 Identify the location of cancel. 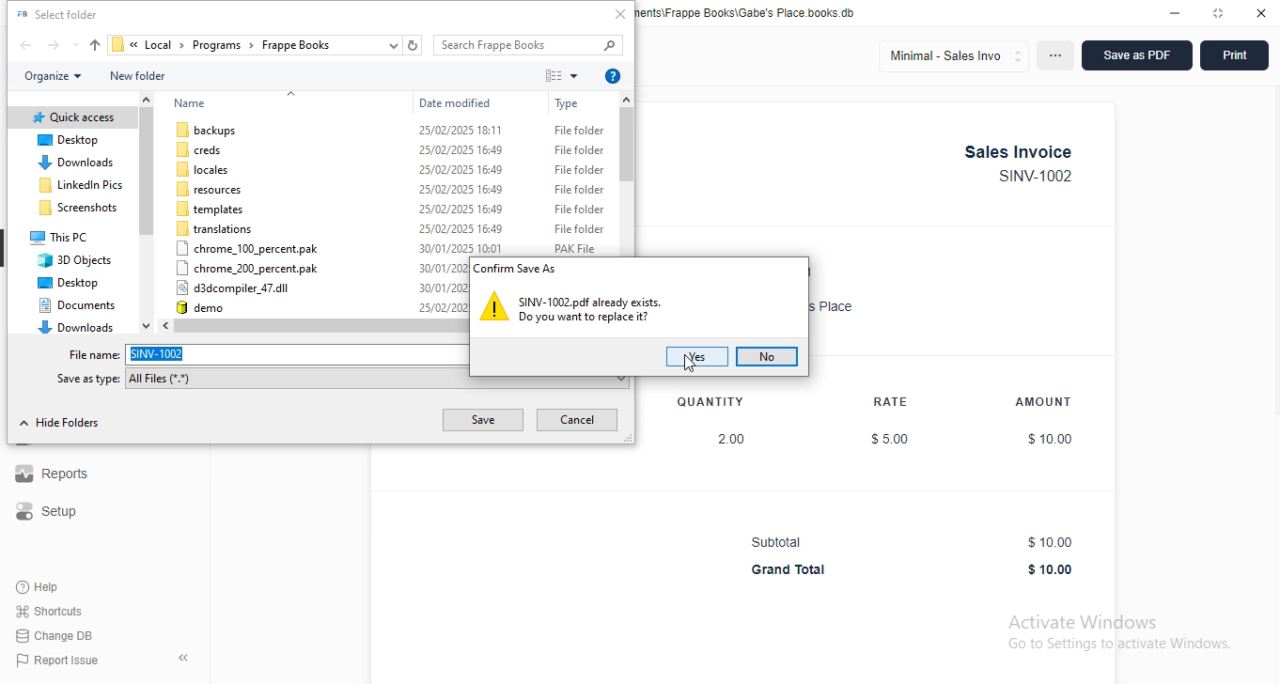
(577, 420).